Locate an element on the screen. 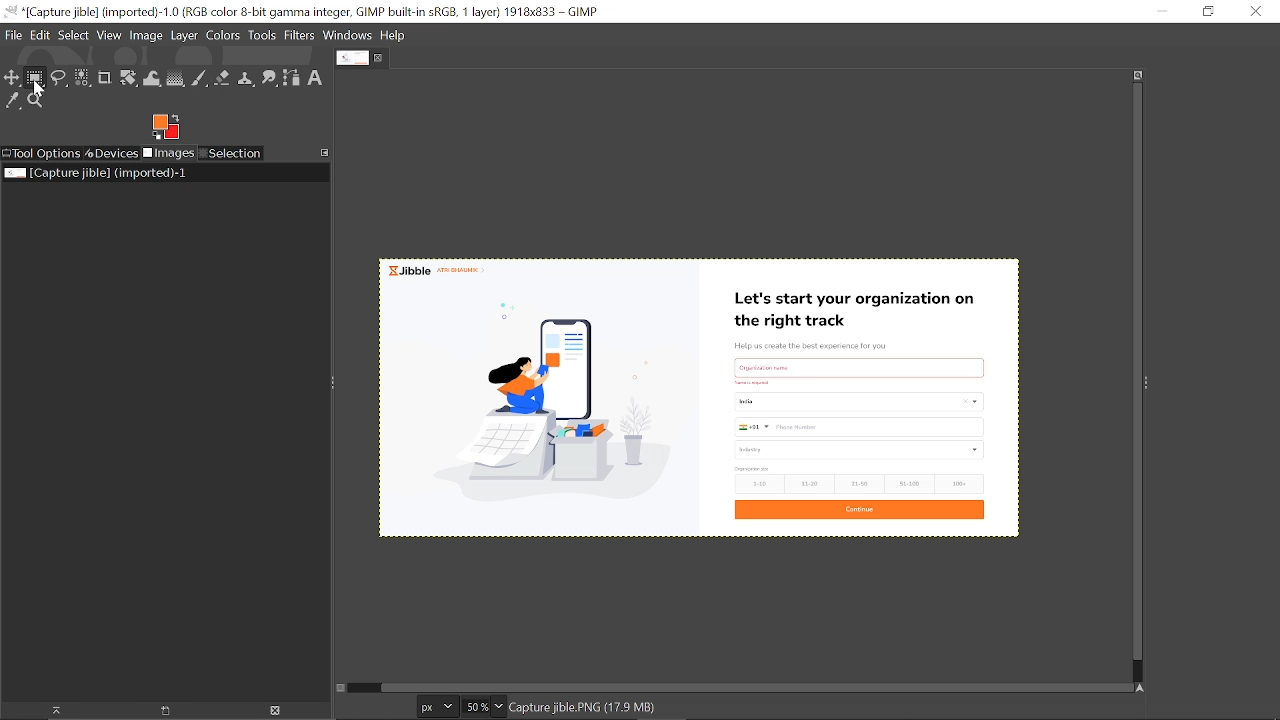  Current image is located at coordinates (545, 407).